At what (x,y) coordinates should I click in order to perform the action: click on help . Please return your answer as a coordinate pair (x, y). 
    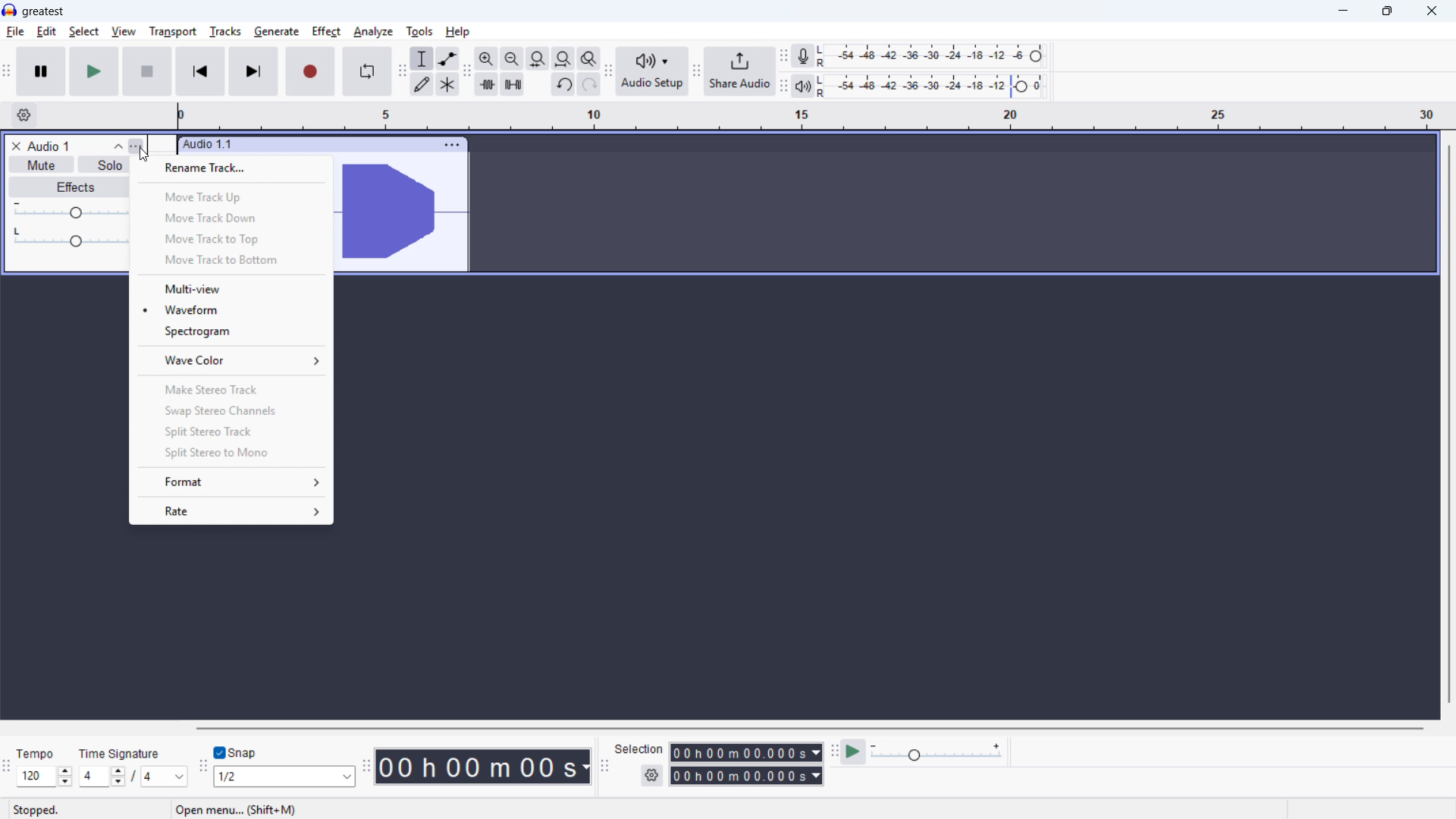
    Looking at the image, I should click on (458, 32).